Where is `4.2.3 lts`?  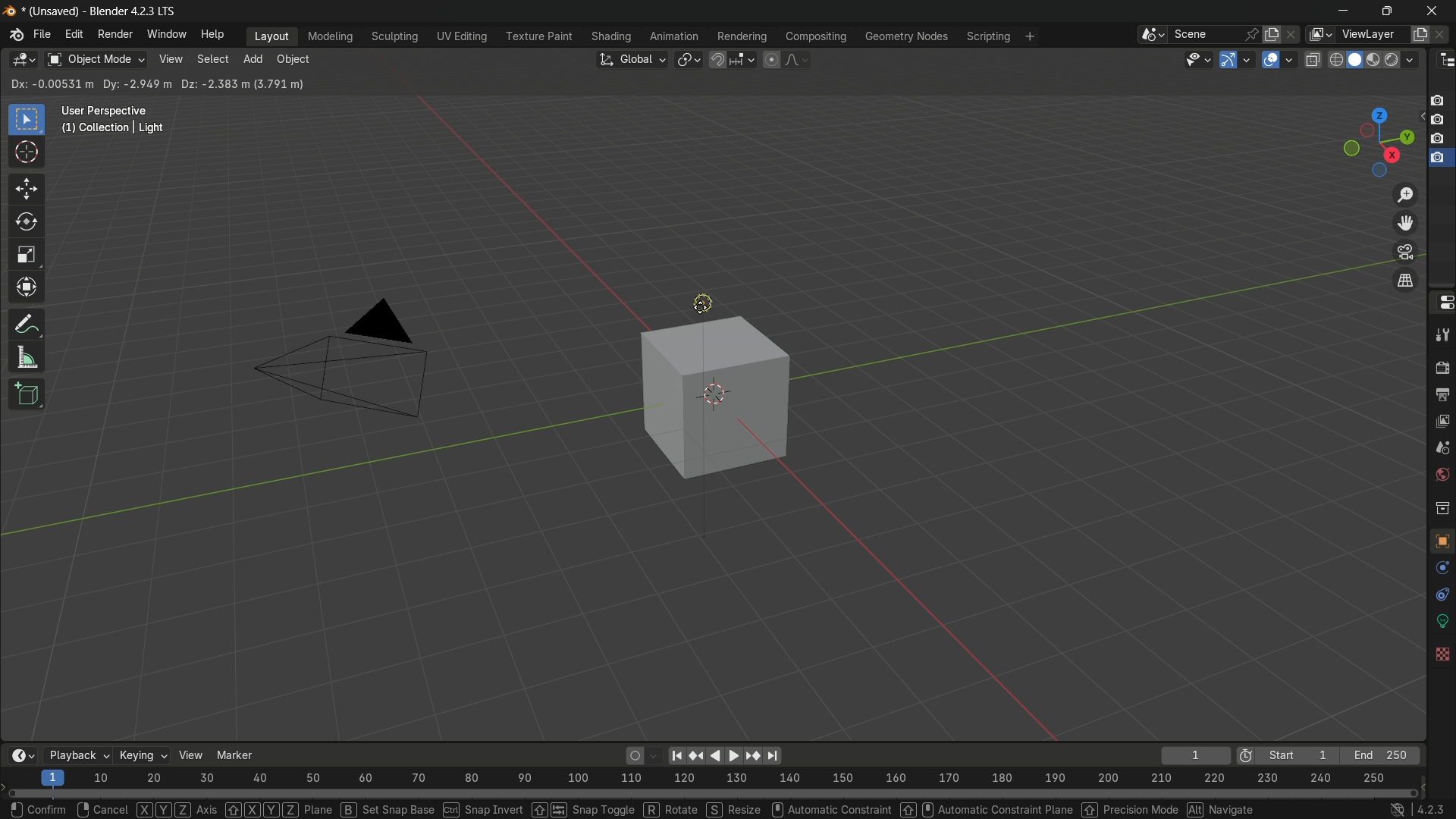
4.2.3 lts is located at coordinates (1415, 808).